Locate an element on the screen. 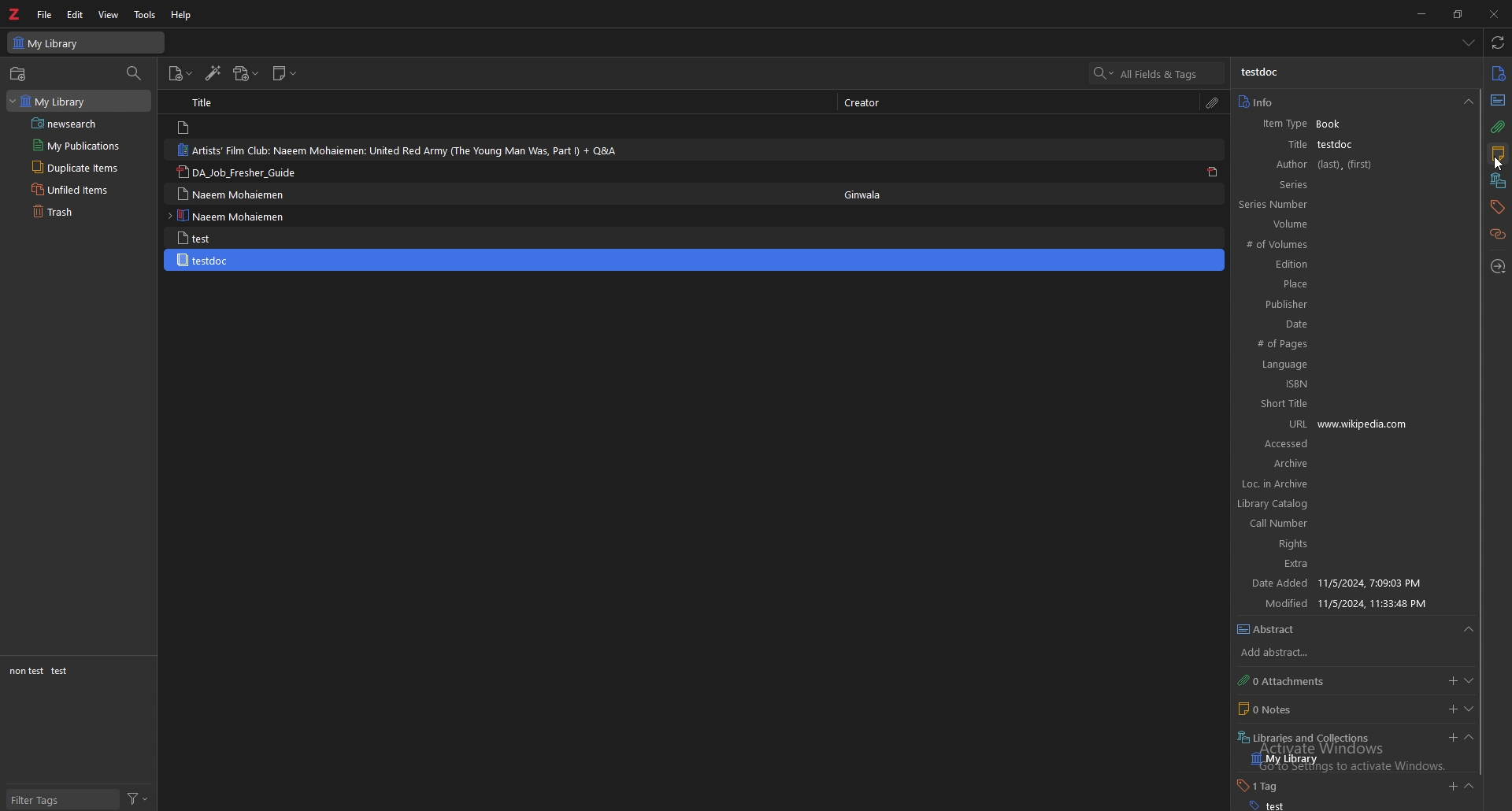  library catalog is located at coordinates (1338, 505).